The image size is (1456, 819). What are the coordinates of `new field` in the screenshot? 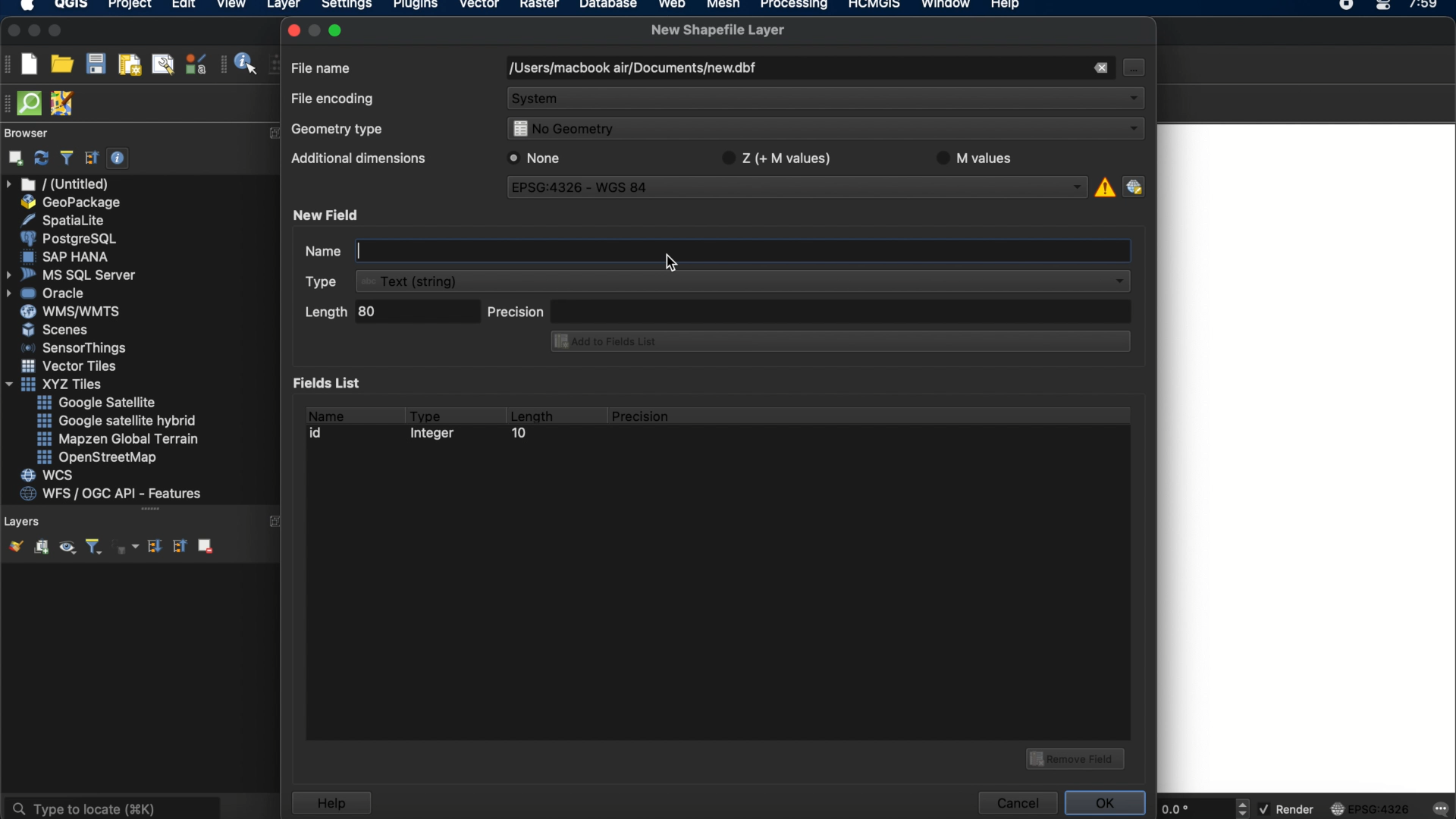 It's located at (328, 215).